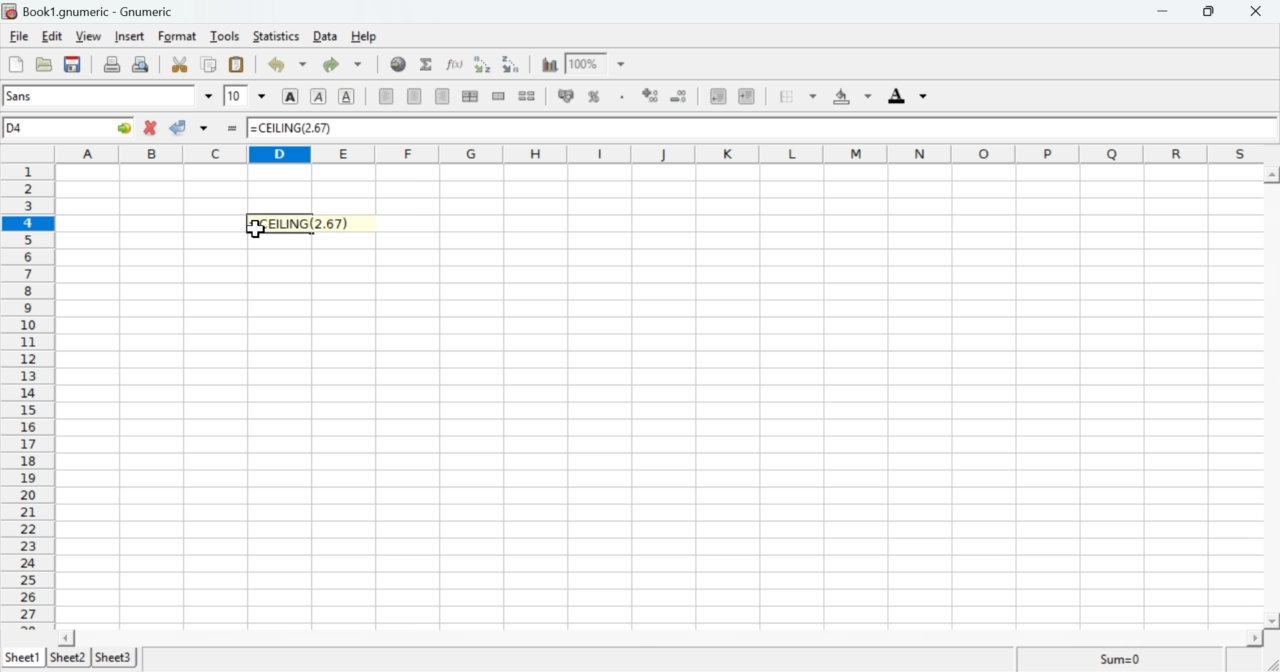 Image resolution: width=1280 pixels, height=672 pixels. Describe the element at coordinates (318, 98) in the screenshot. I see `Italics` at that location.